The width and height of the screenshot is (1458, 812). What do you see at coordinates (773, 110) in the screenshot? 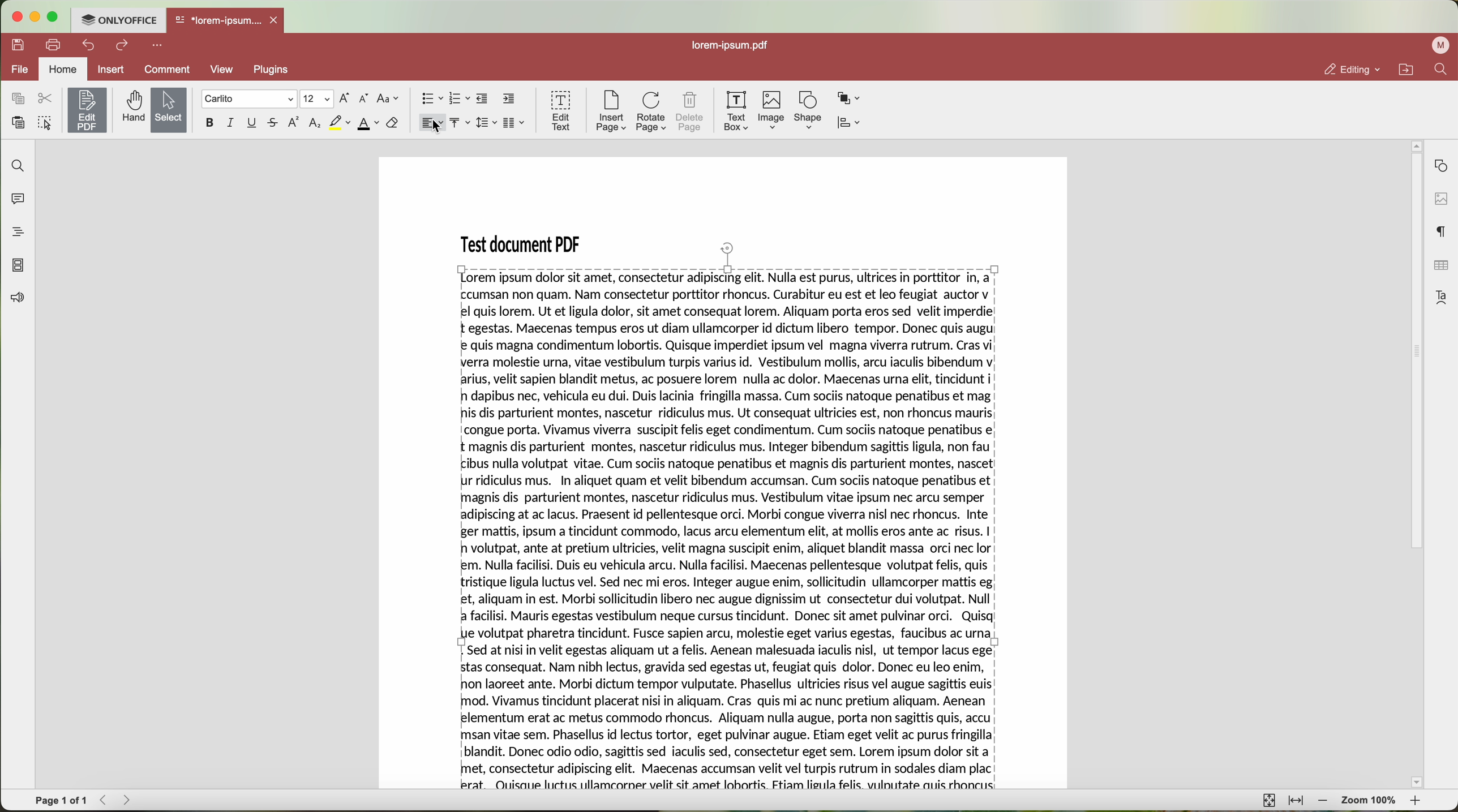
I see `image` at bounding box center [773, 110].